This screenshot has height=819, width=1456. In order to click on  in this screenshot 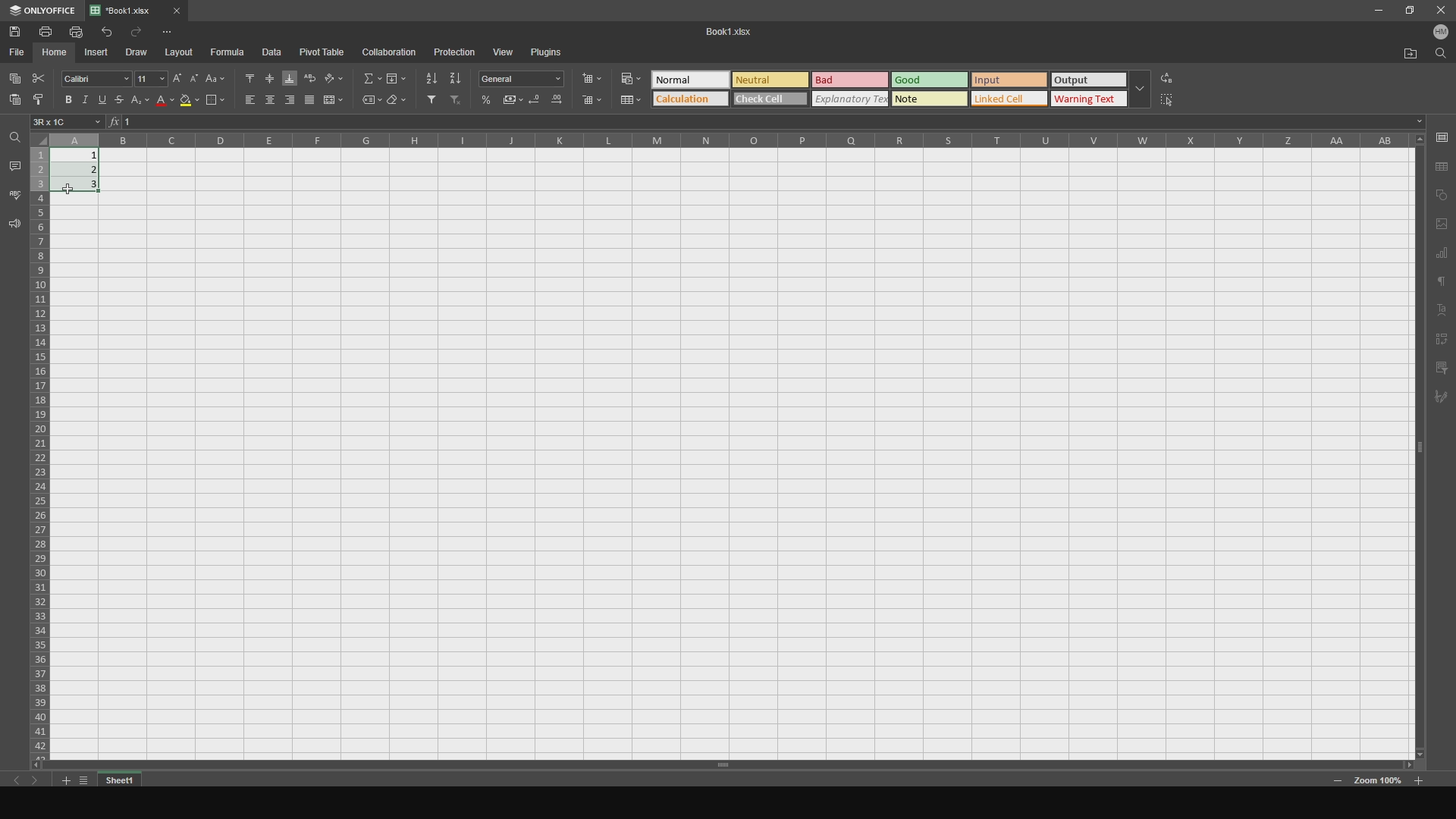, I will do `click(525, 79)`.